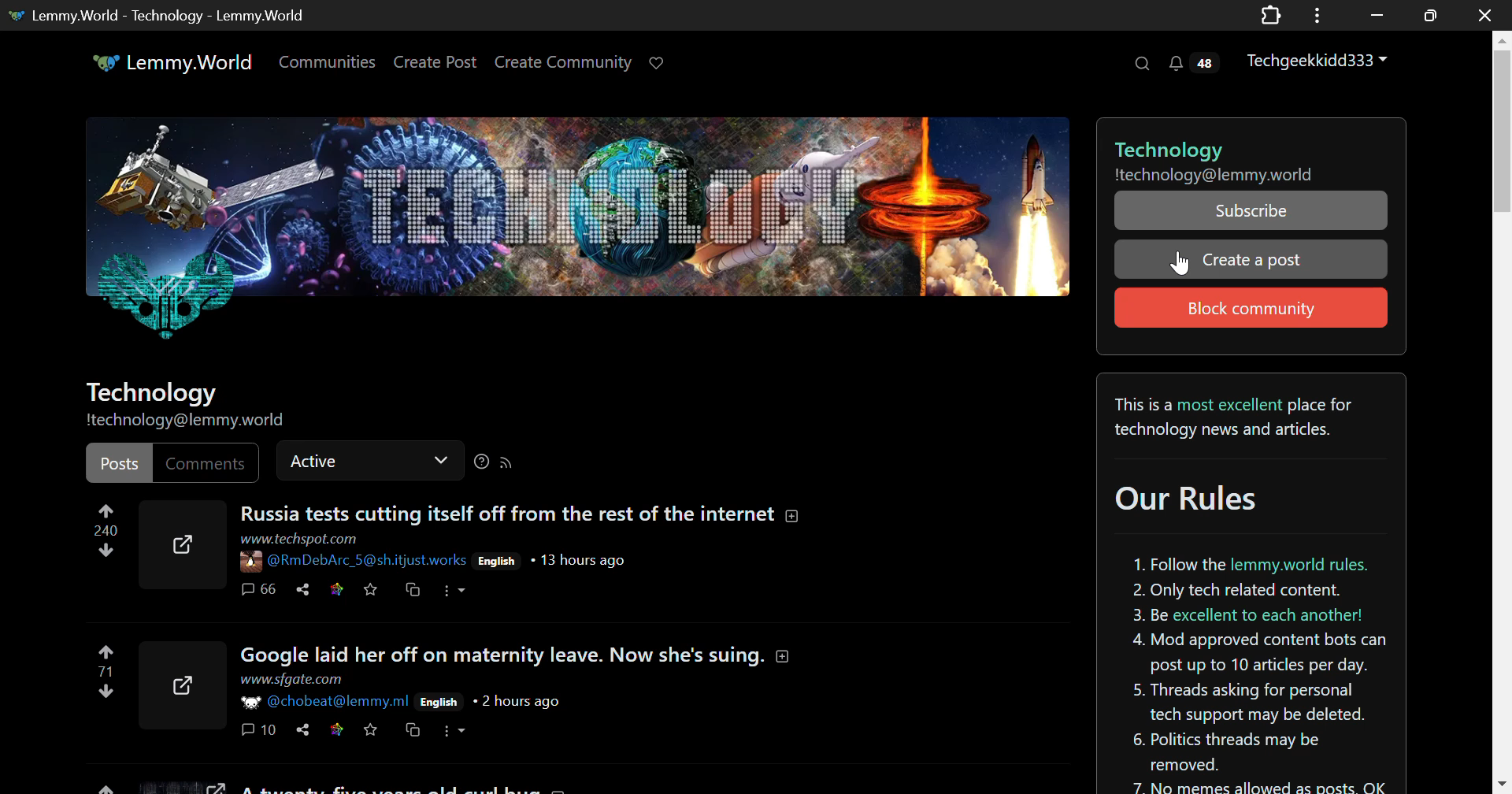  I want to click on Save, so click(372, 733).